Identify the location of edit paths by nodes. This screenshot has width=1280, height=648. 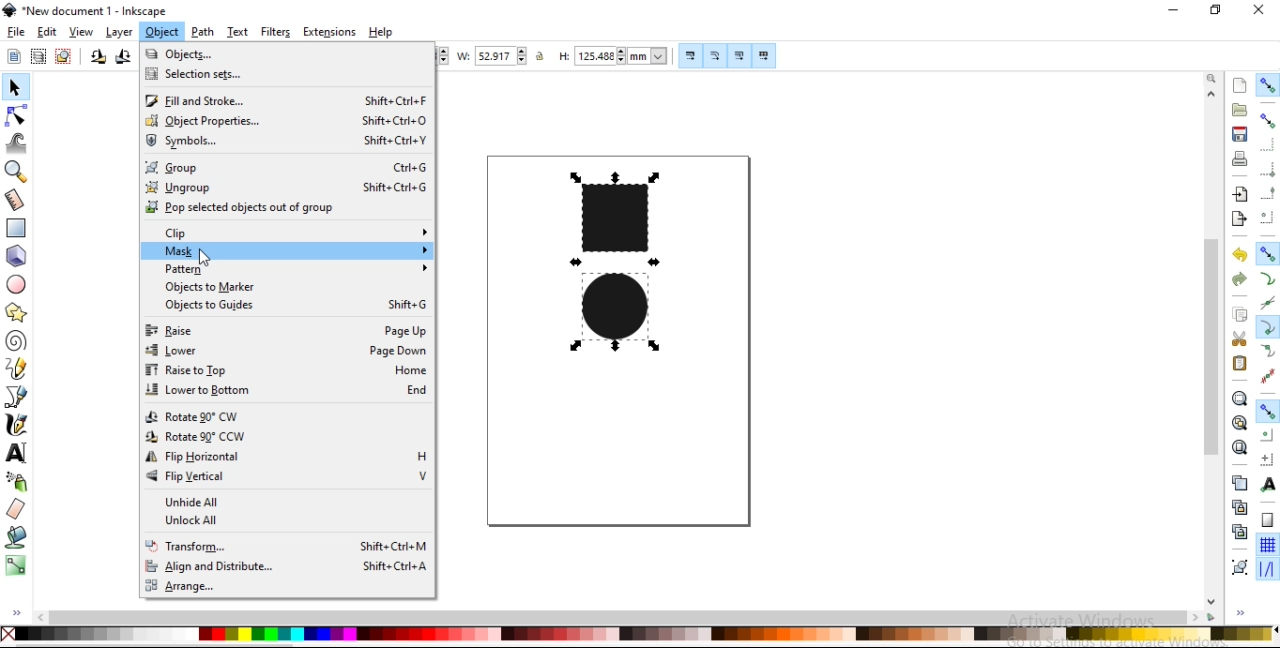
(19, 116).